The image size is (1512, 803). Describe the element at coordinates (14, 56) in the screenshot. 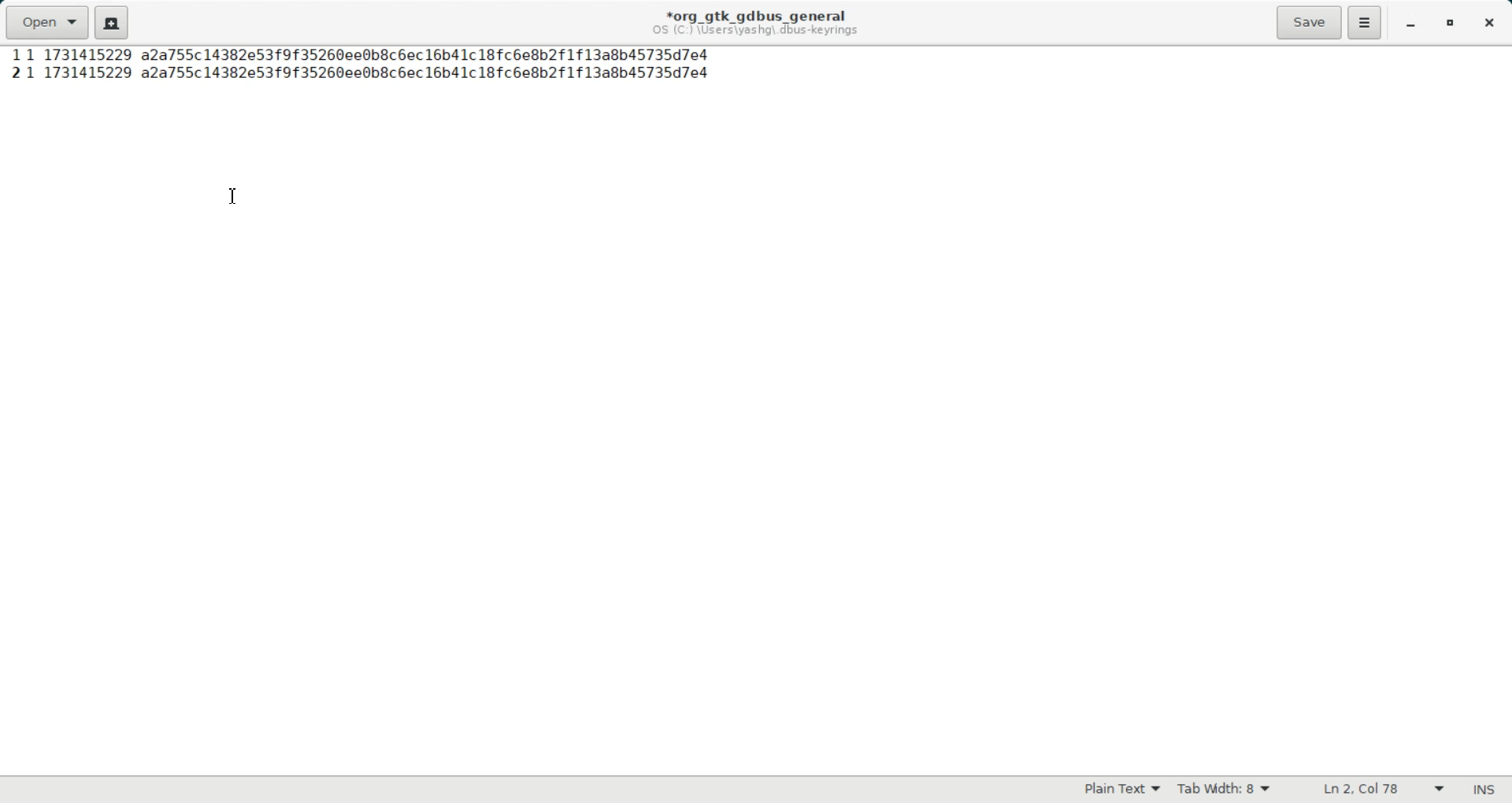

I see `Line Number` at that location.